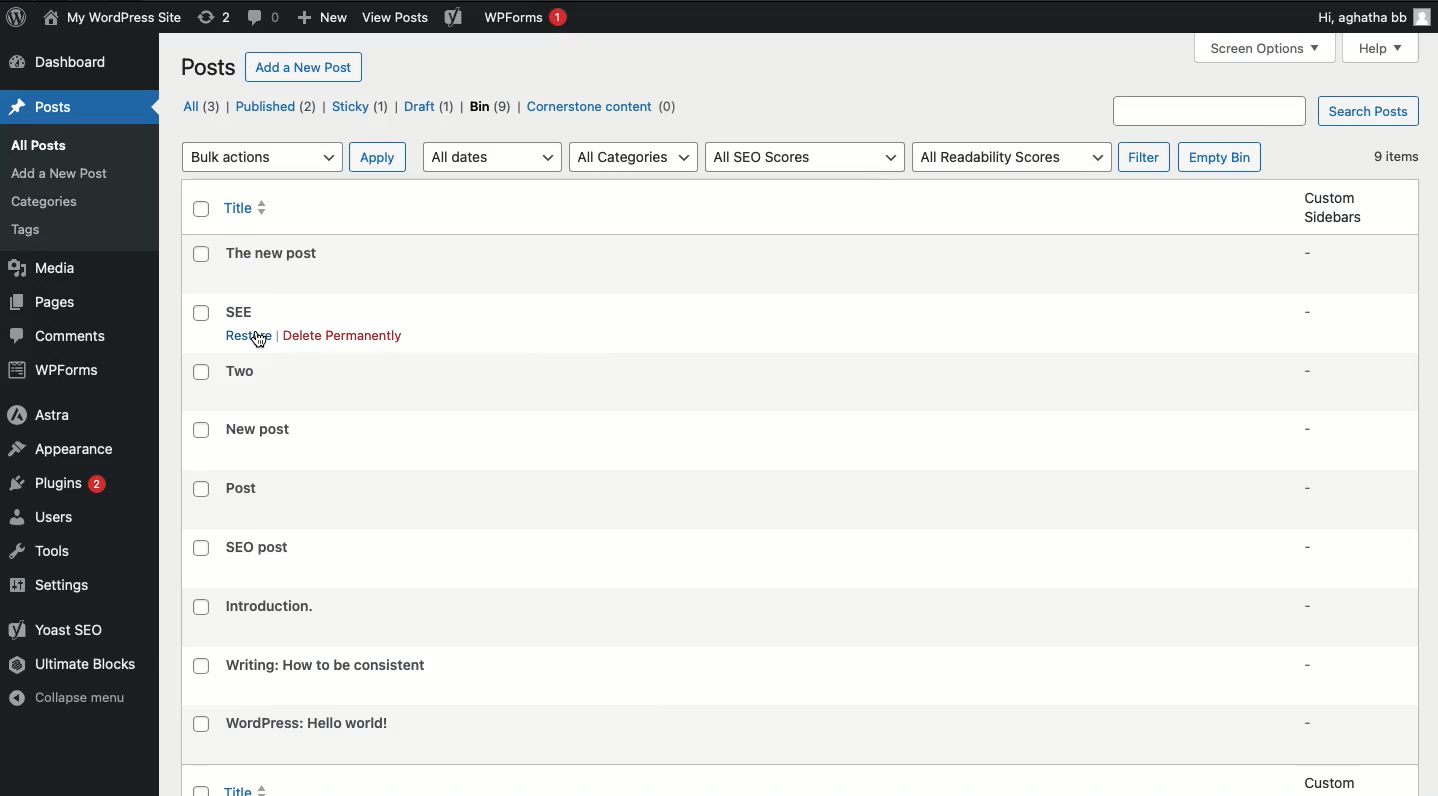 The width and height of the screenshot is (1438, 796). What do you see at coordinates (604, 106) in the screenshot?
I see `Cornerstone content` at bounding box center [604, 106].